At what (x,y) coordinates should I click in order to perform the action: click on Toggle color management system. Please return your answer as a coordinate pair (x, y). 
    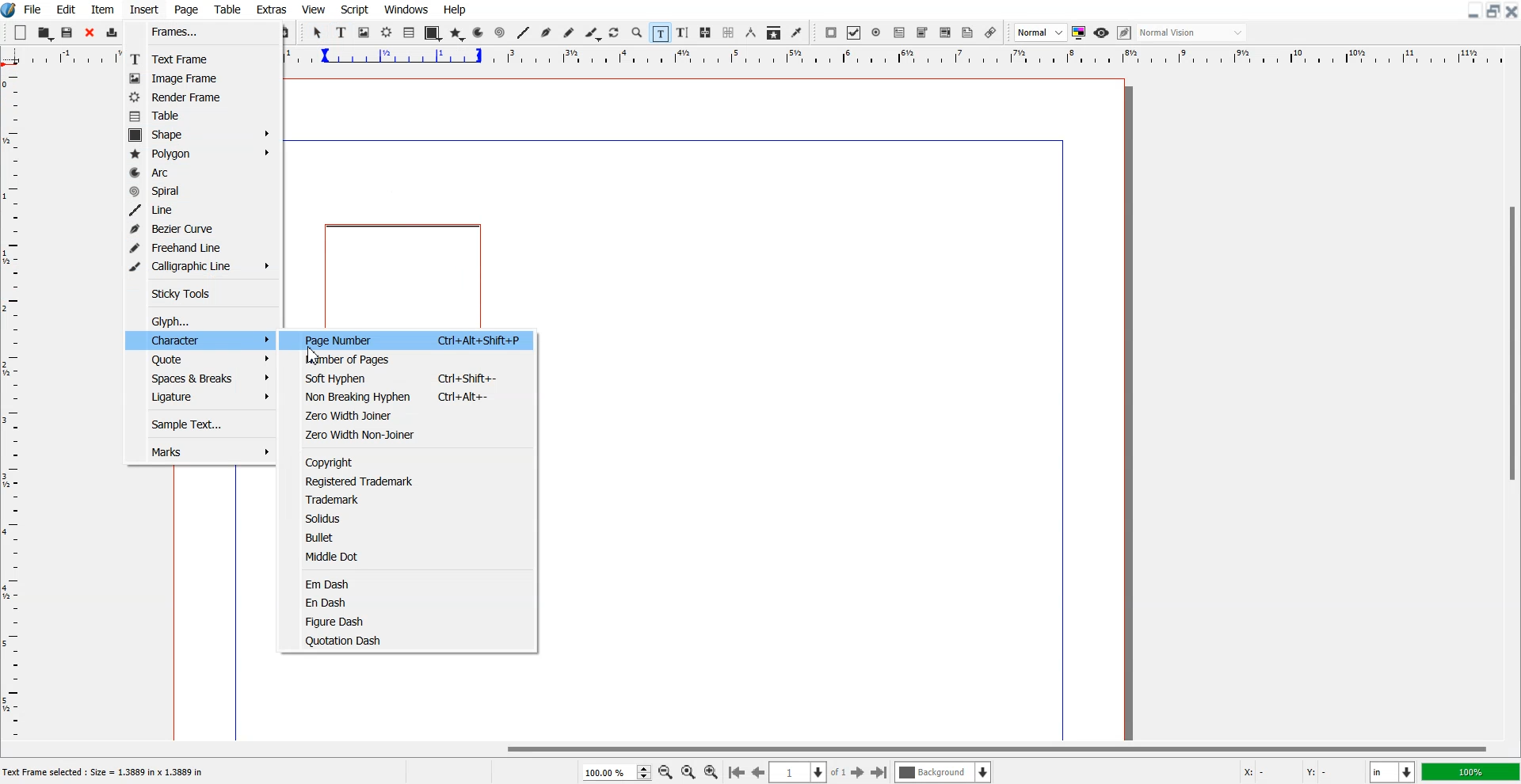
    Looking at the image, I should click on (1080, 32).